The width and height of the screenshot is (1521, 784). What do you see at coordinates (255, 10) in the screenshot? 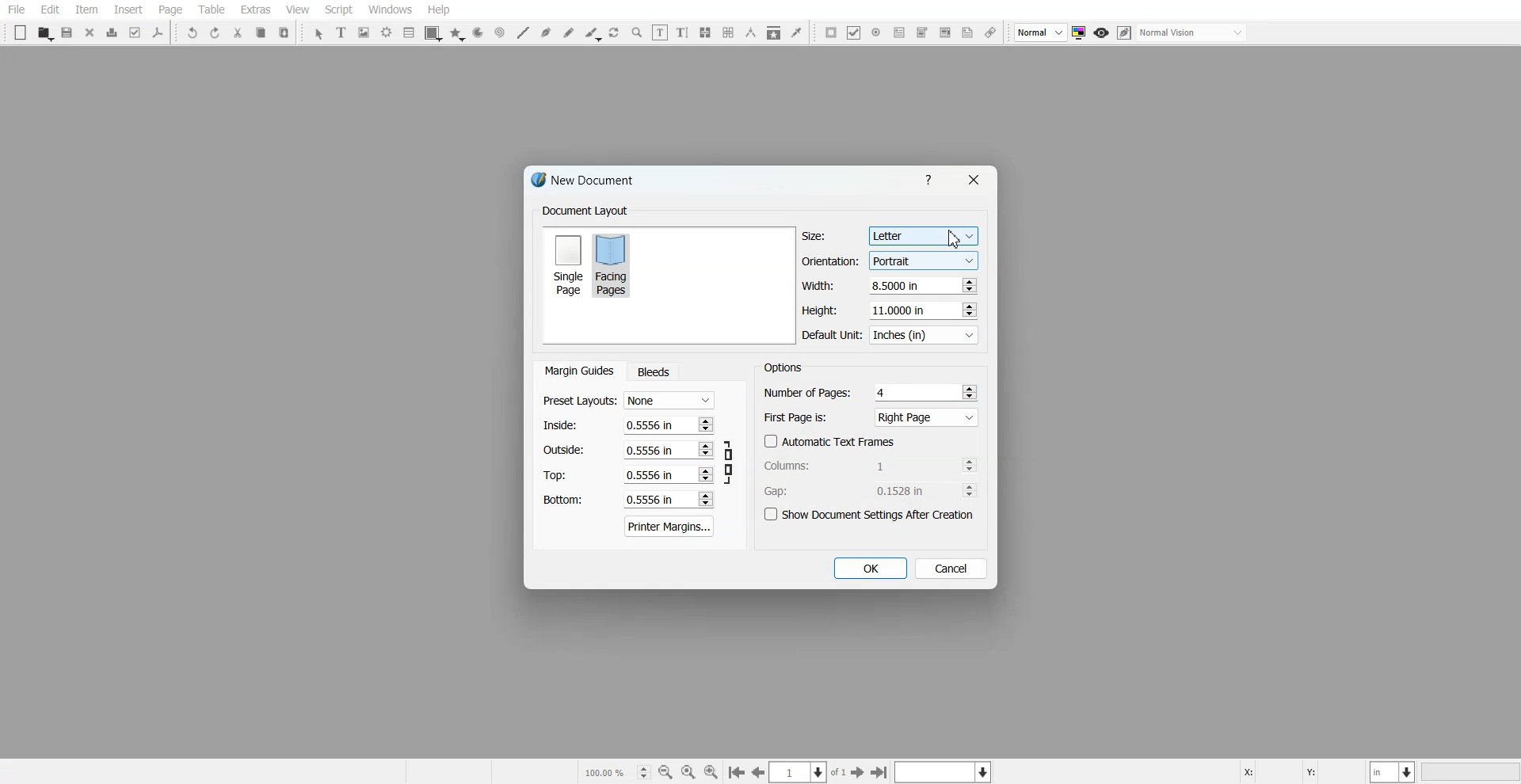
I see `Extras` at bounding box center [255, 10].